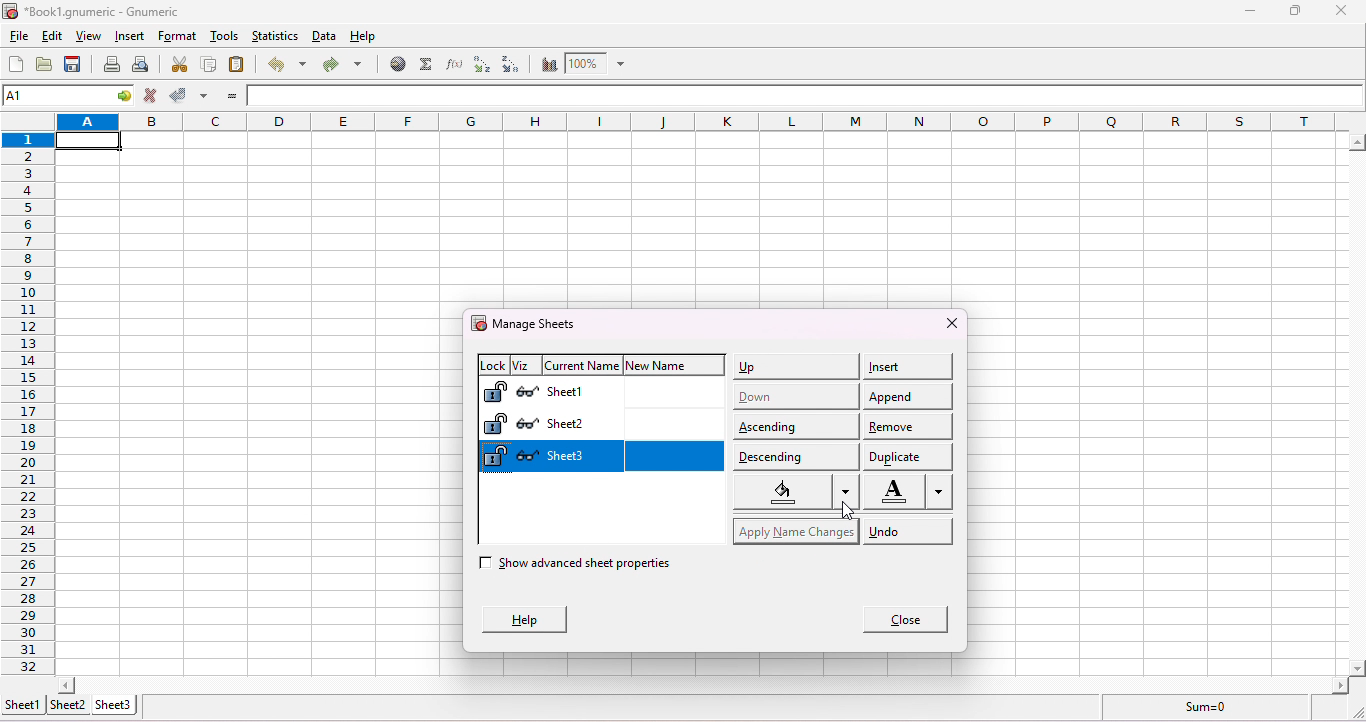  What do you see at coordinates (72, 706) in the screenshot?
I see `sheet 2` at bounding box center [72, 706].